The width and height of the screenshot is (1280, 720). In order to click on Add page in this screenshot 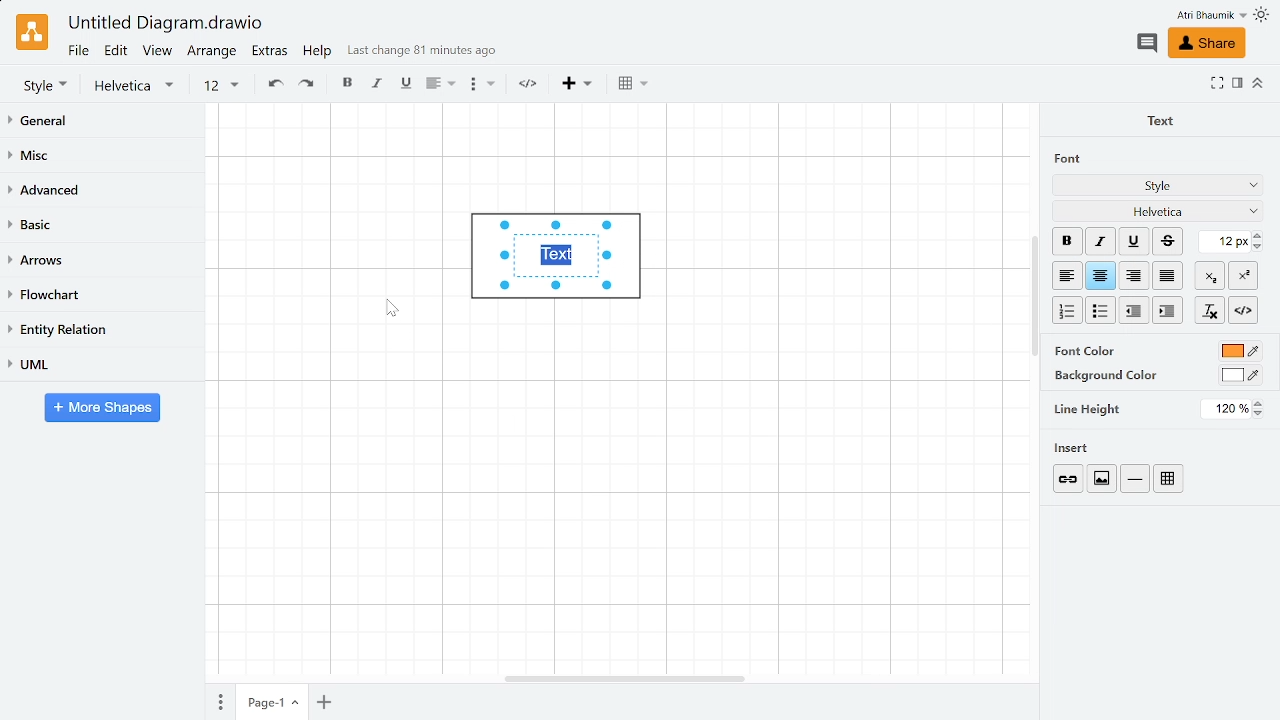, I will do `click(327, 701)`.